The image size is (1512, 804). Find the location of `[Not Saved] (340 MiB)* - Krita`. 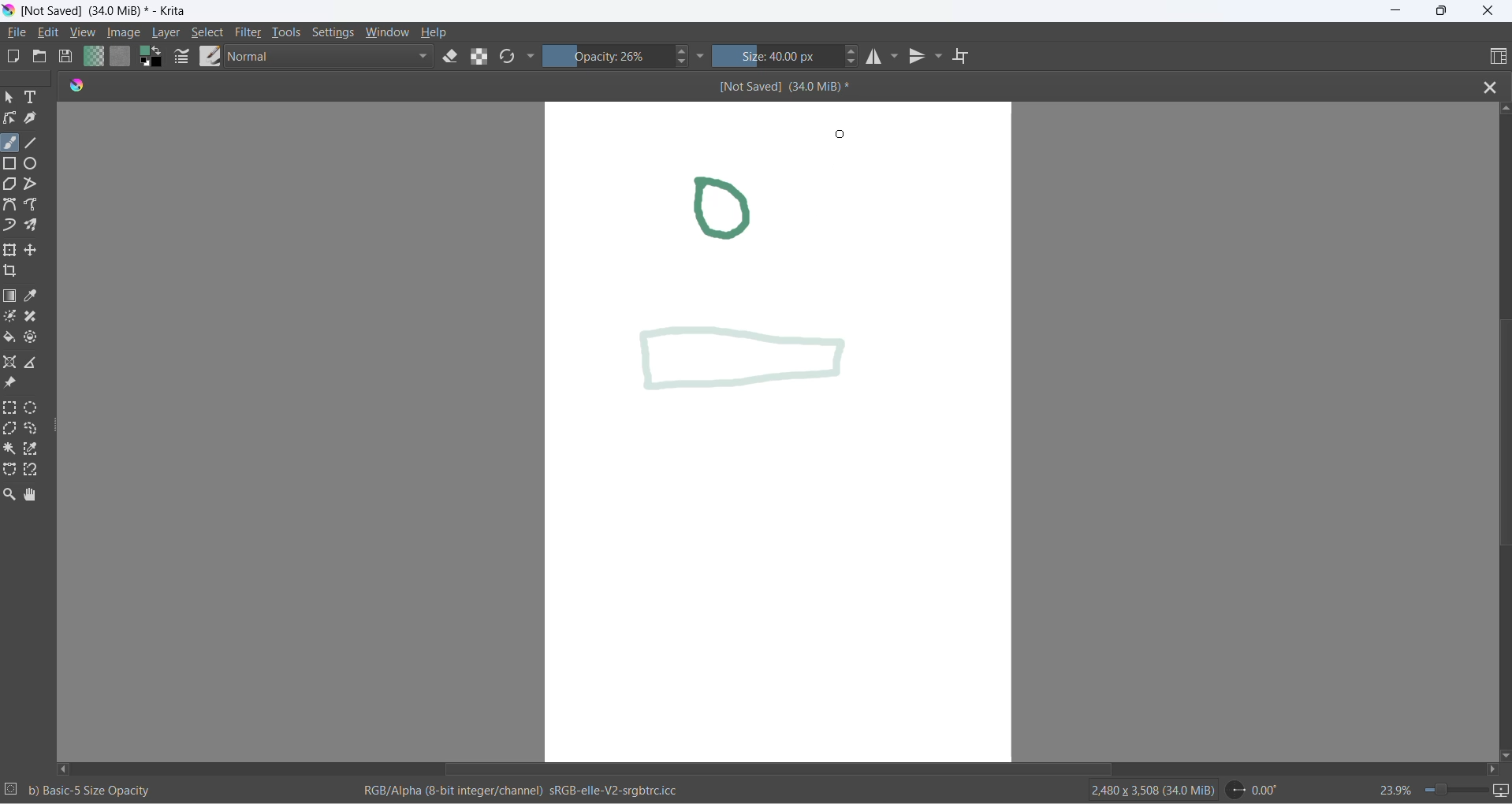

[Not Saved] (340 MiB)* - Krita is located at coordinates (111, 11).